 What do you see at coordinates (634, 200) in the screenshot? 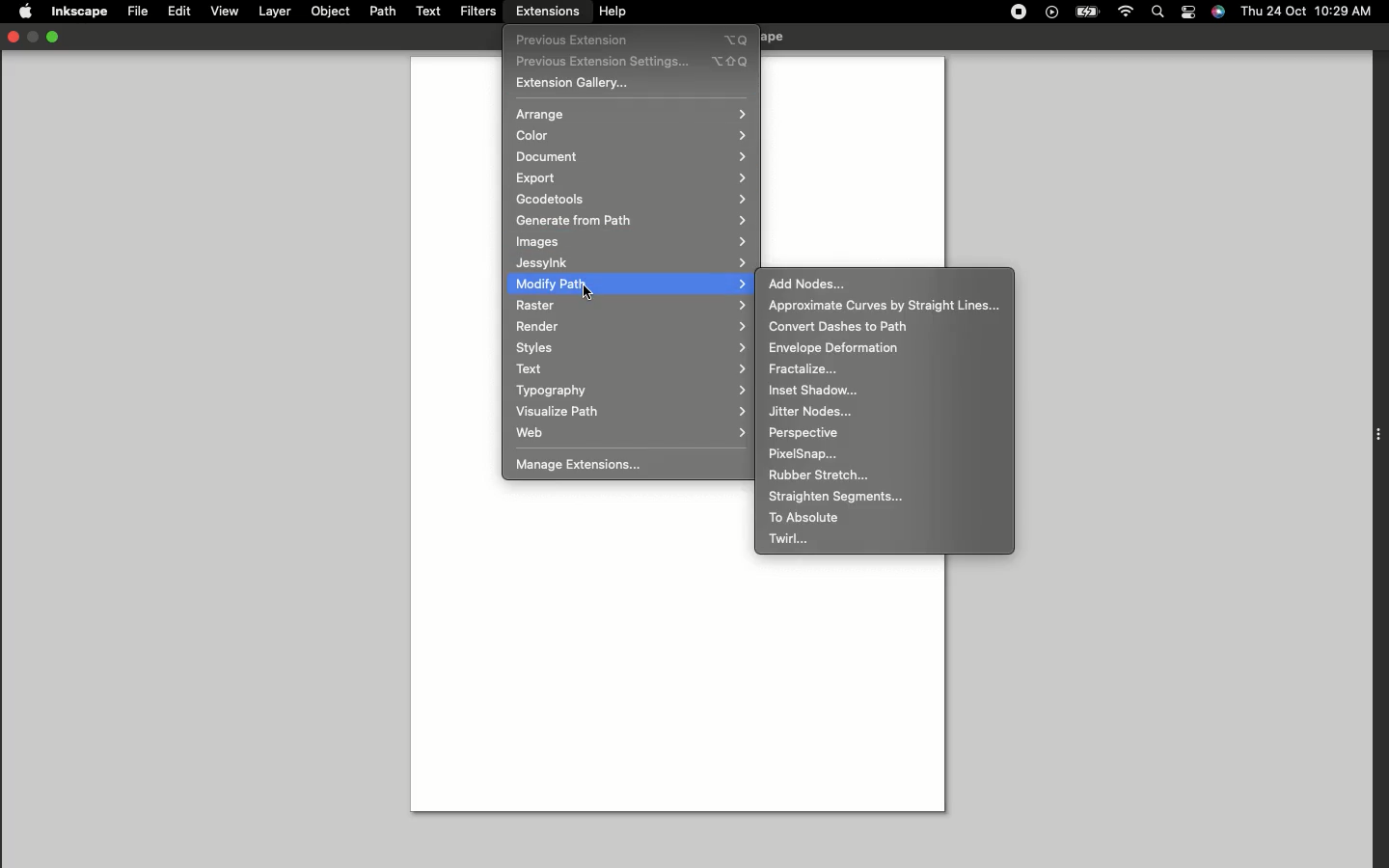
I see `Gcodetools` at bounding box center [634, 200].